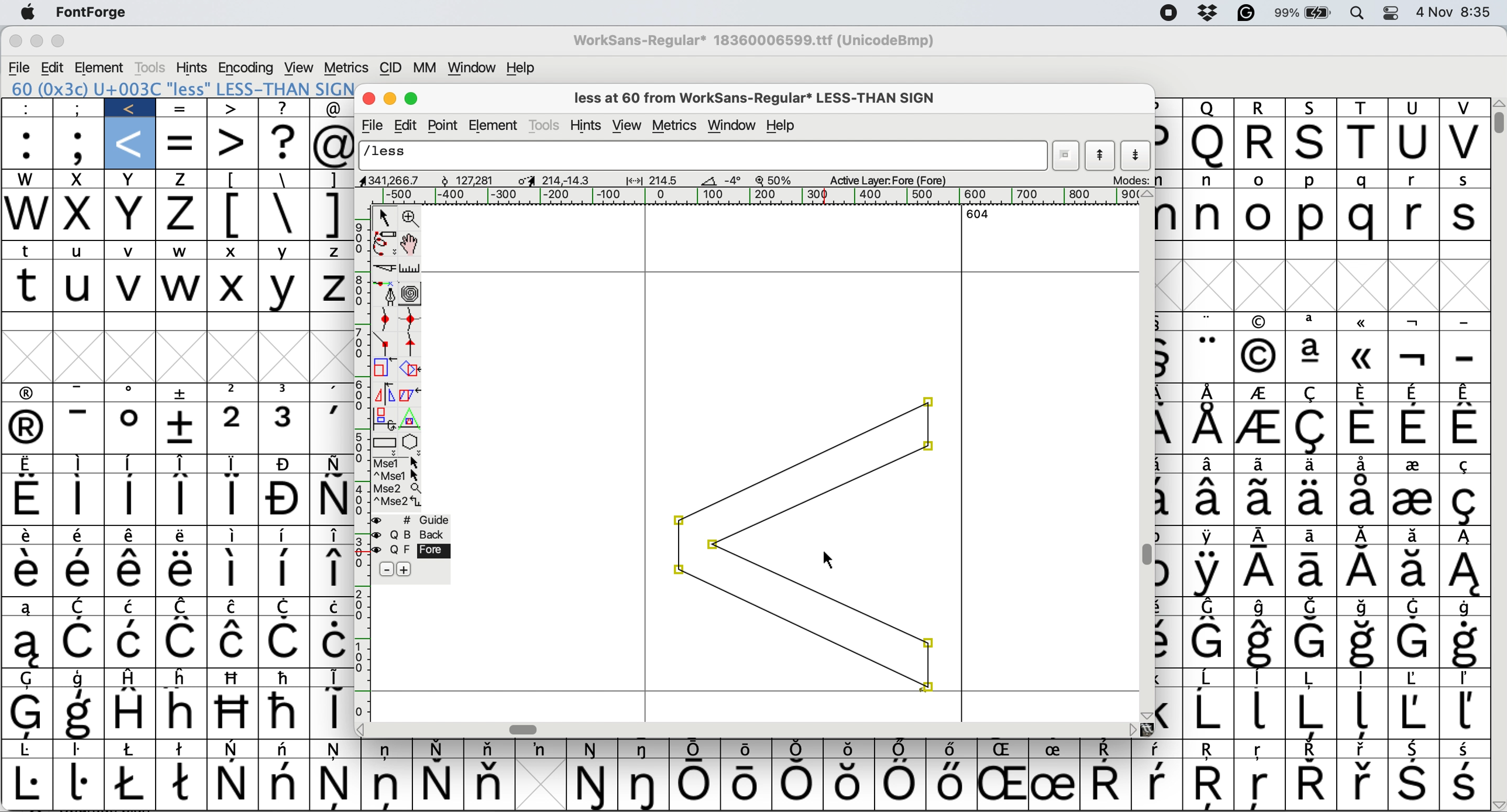  Describe the element at coordinates (775, 178) in the screenshot. I see `zoom scale` at that location.